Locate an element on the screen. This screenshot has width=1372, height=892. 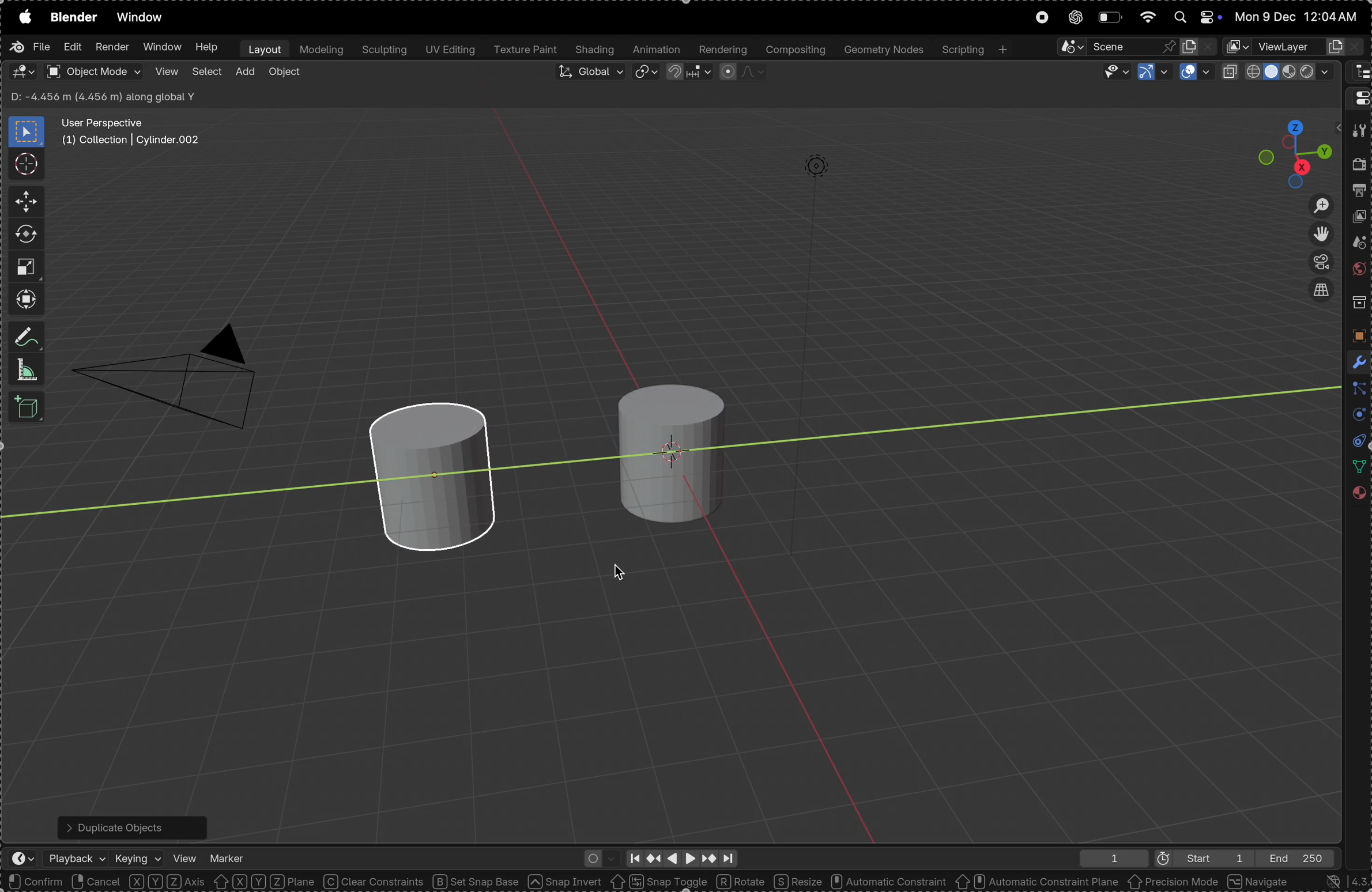
modifiers is located at coordinates (1356, 361).